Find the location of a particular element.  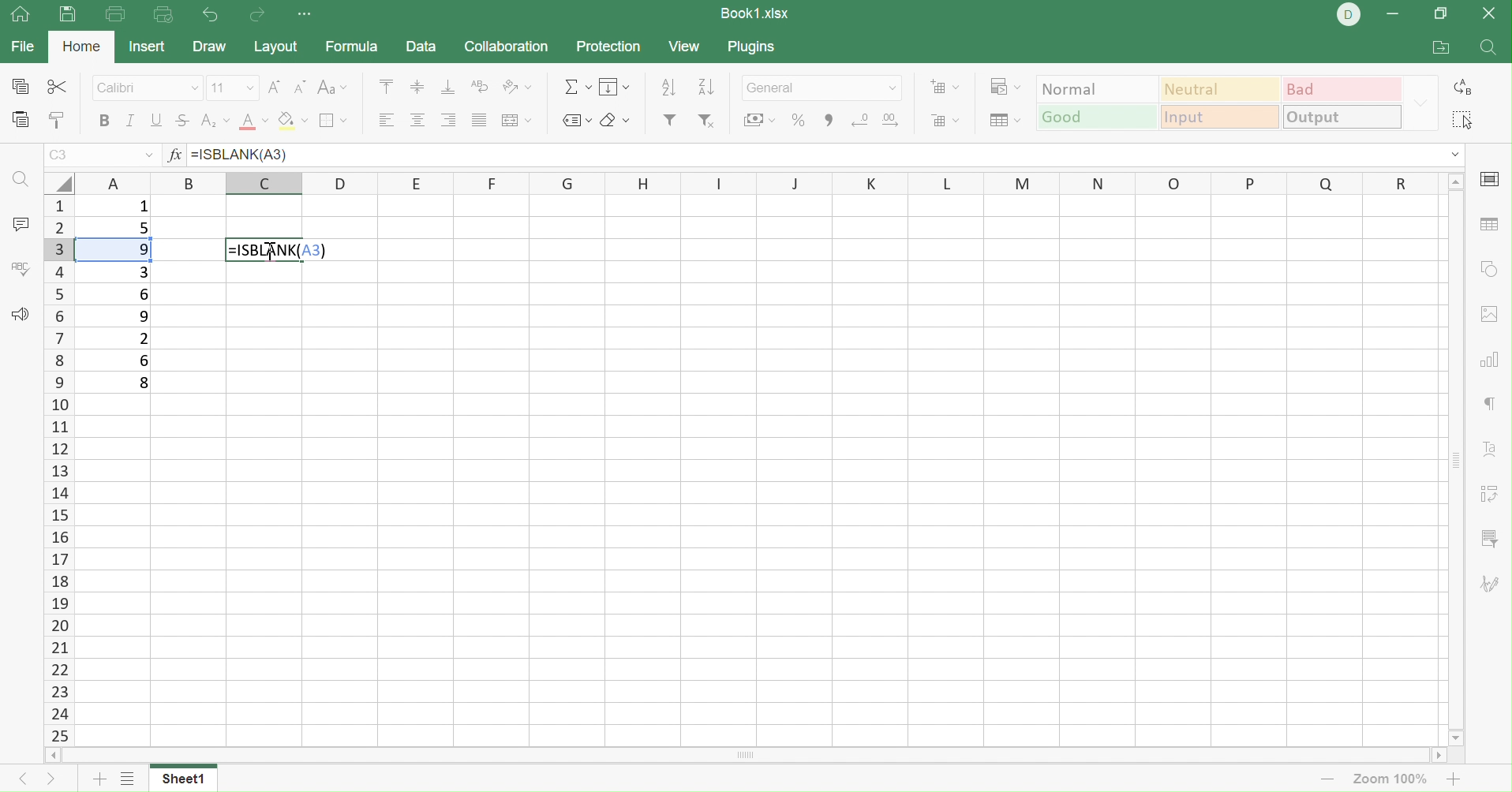

File is located at coordinates (23, 47).